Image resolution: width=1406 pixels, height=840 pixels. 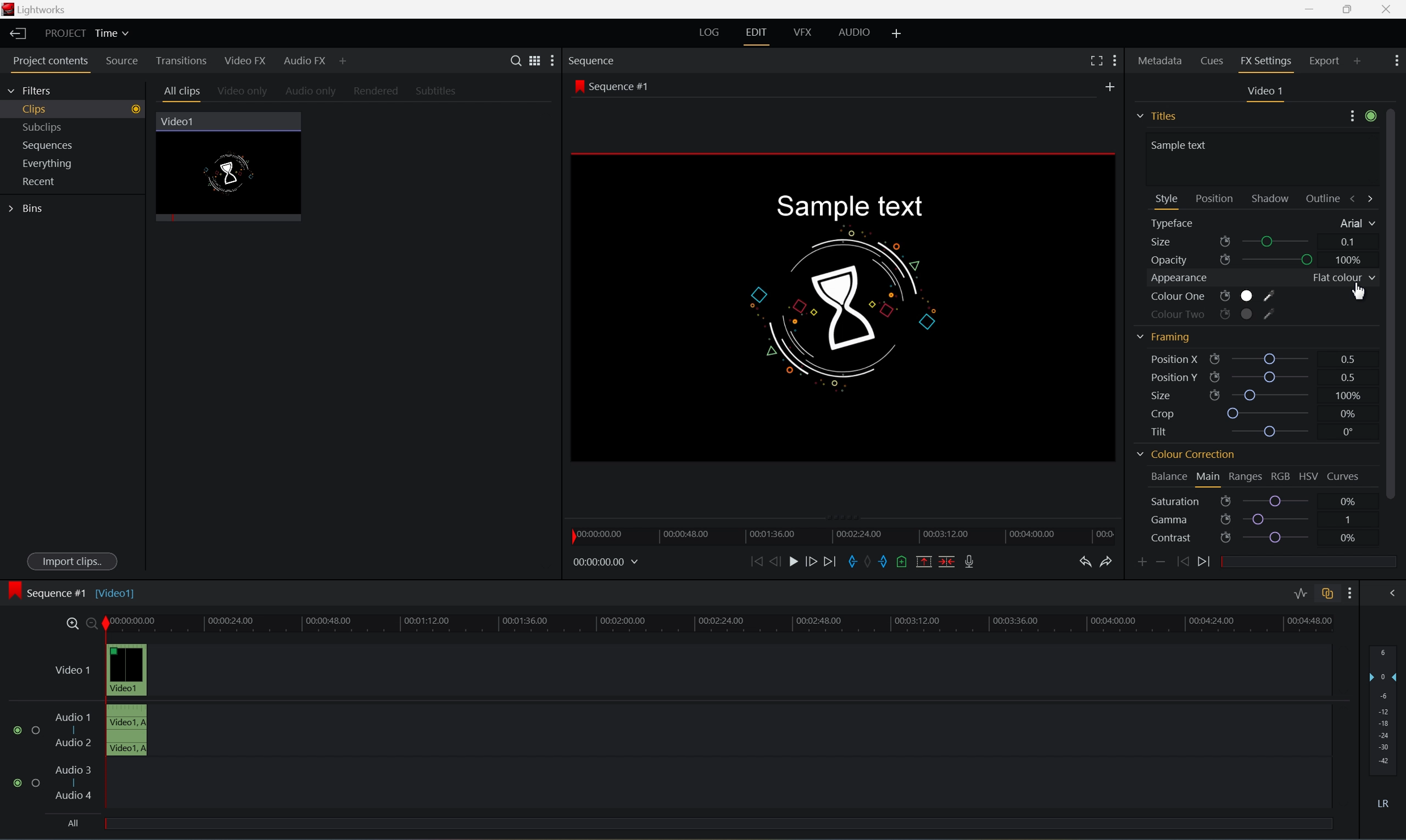 What do you see at coordinates (898, 32) in the screenshot?
I see `add` at bounding box center [898, 32].